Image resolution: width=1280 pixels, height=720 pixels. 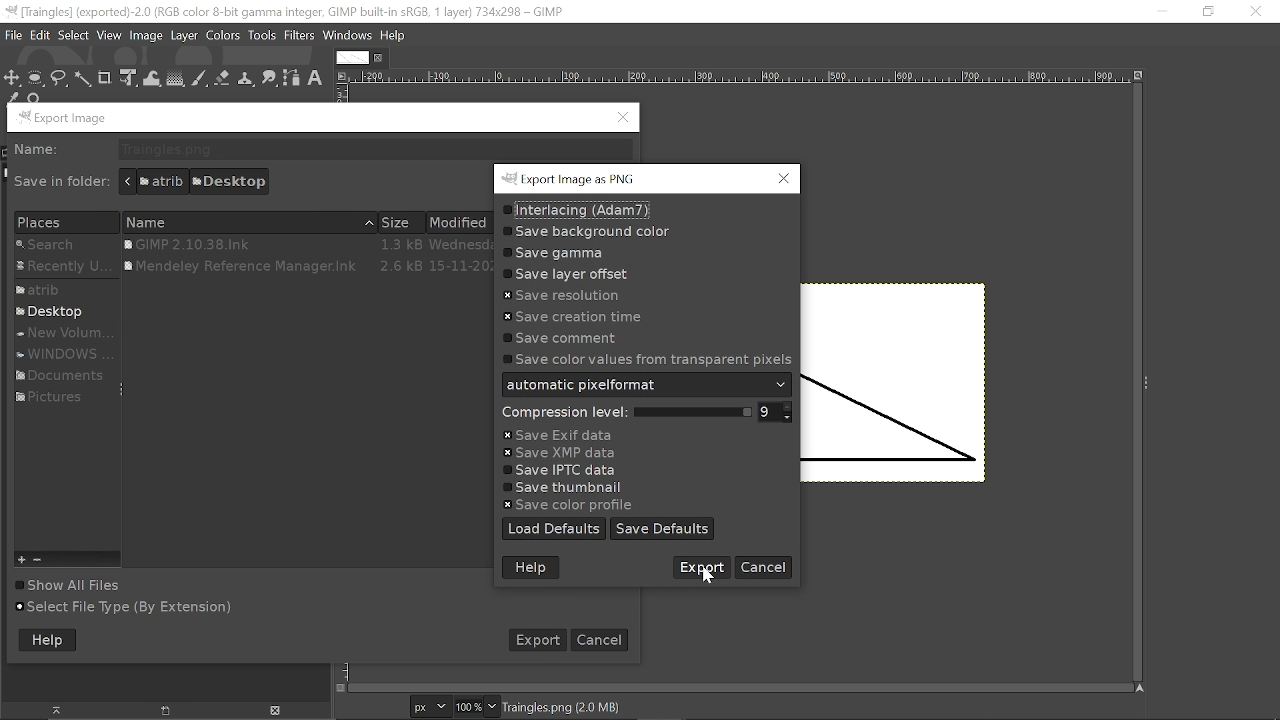 What do you see at coordinates (13, 35) in the screenshot?
I see `File` at bounding box center [13, 35].